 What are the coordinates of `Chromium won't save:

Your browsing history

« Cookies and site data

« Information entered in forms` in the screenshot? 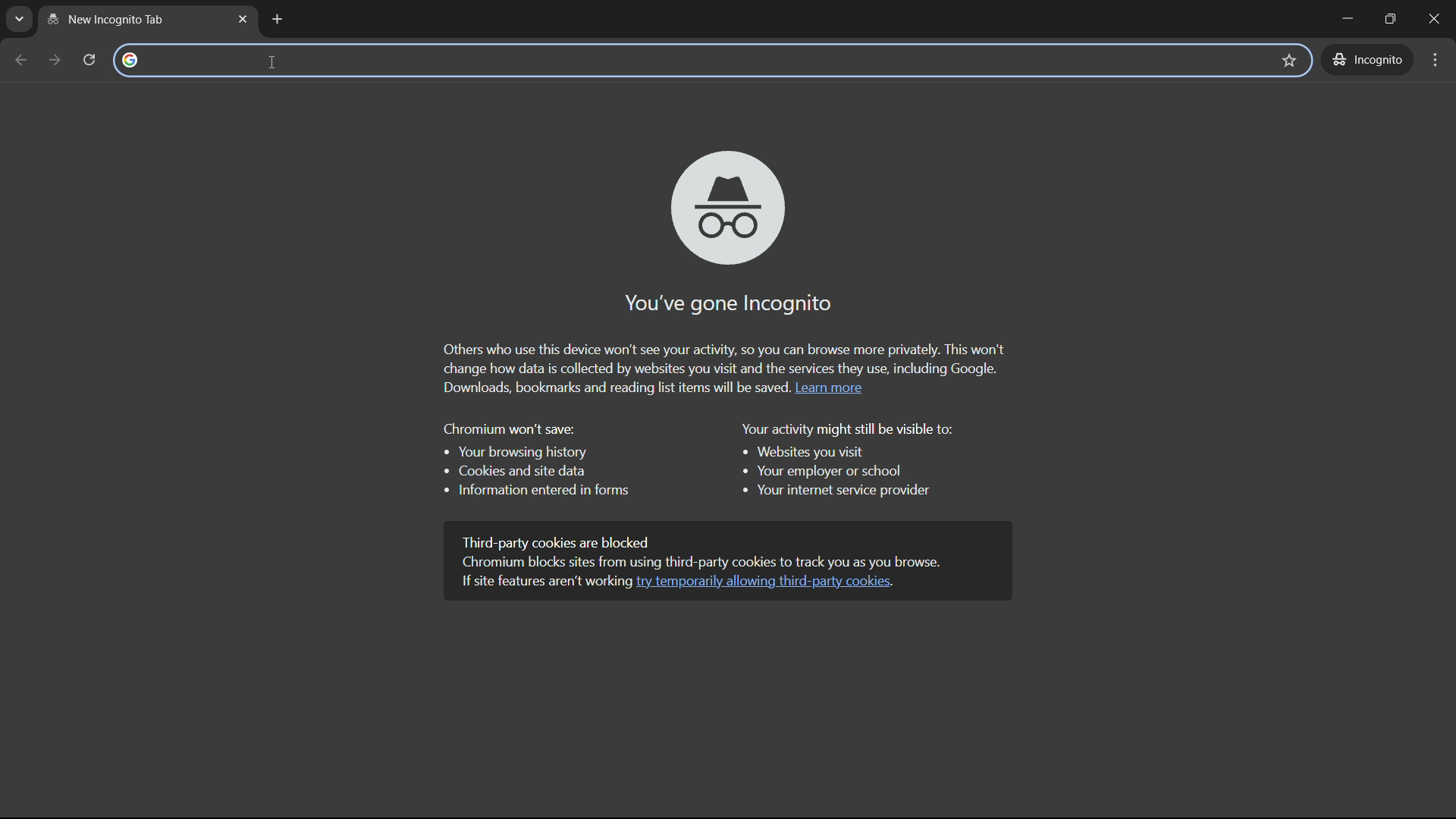 It's located at (532, 464).